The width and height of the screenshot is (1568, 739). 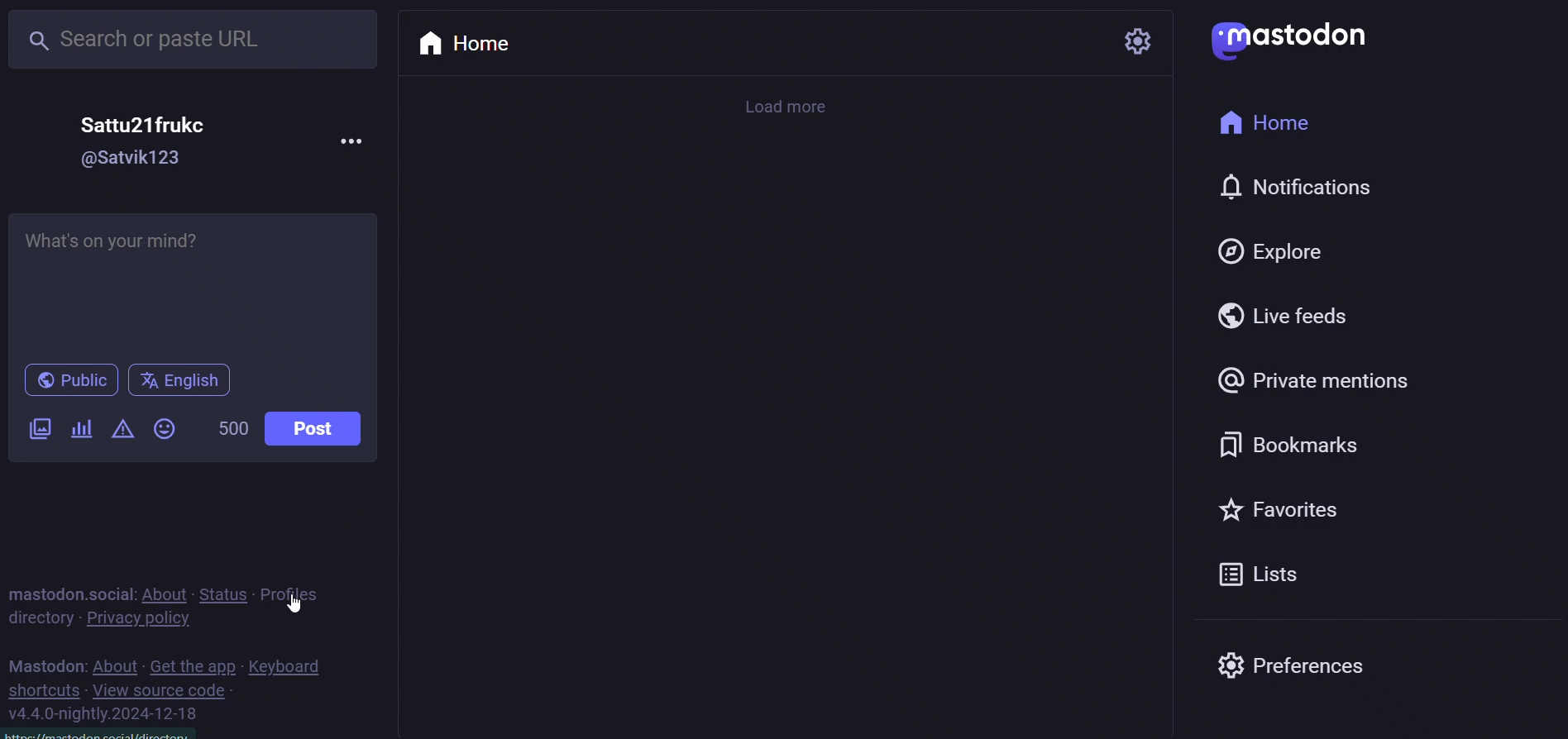 I want to click on live feed, so click(x=1289, y=312).